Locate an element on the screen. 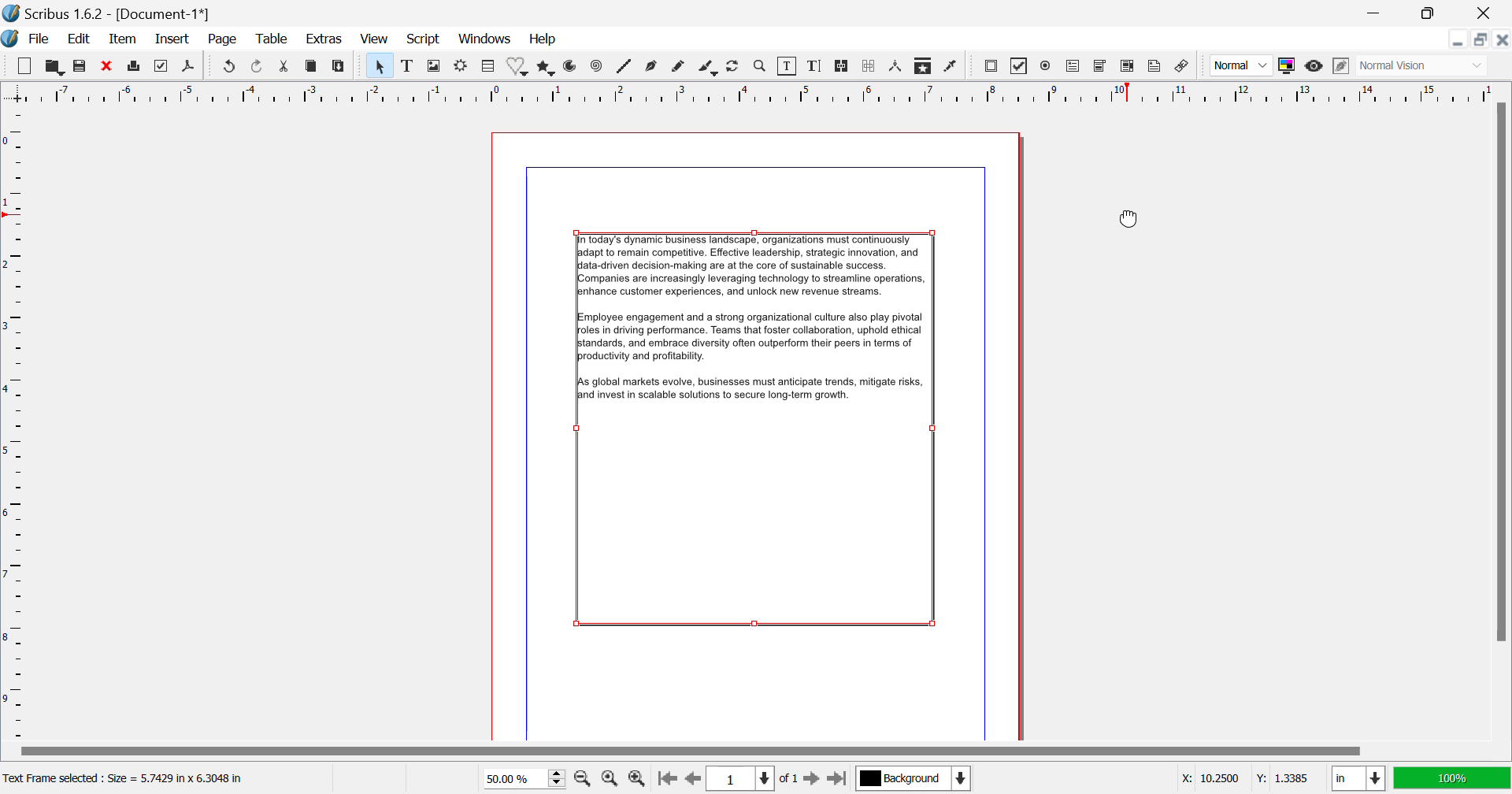 This screenshot has height=794, width=1512. Minimize is located at coordinates (1431, 13).